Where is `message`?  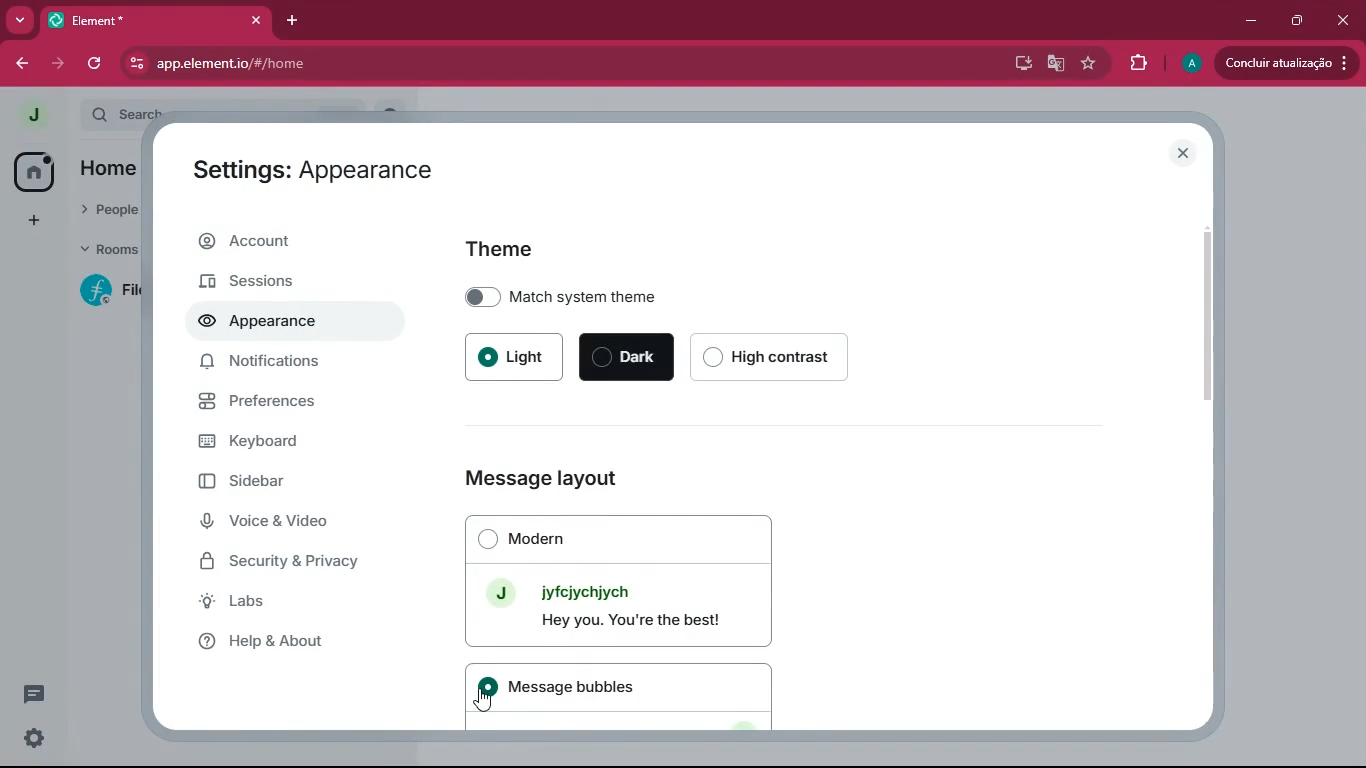
message is located at coordinates (36, 694).